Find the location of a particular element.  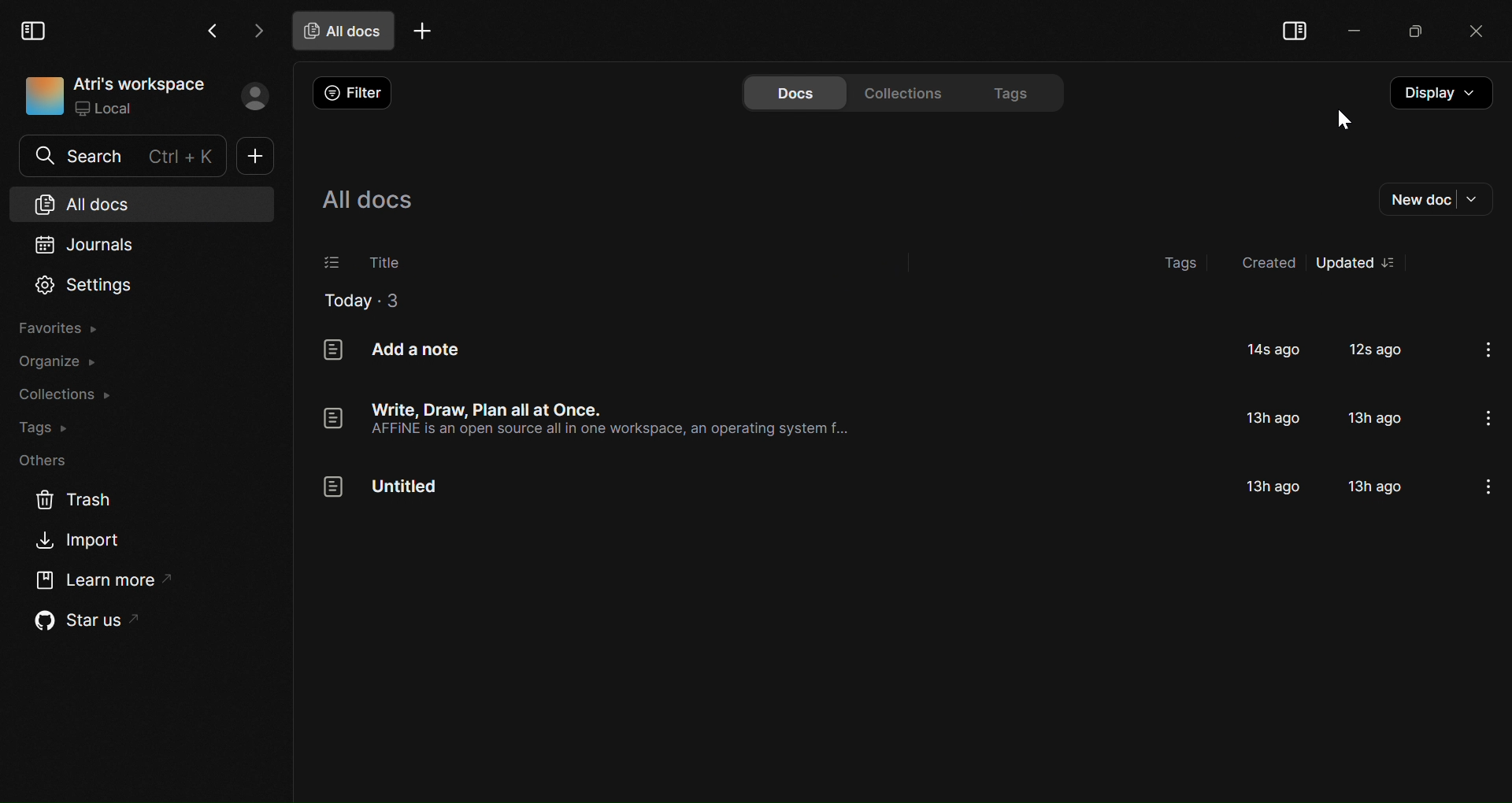

Collapse sidebar is located at coordinates (1295, 32).